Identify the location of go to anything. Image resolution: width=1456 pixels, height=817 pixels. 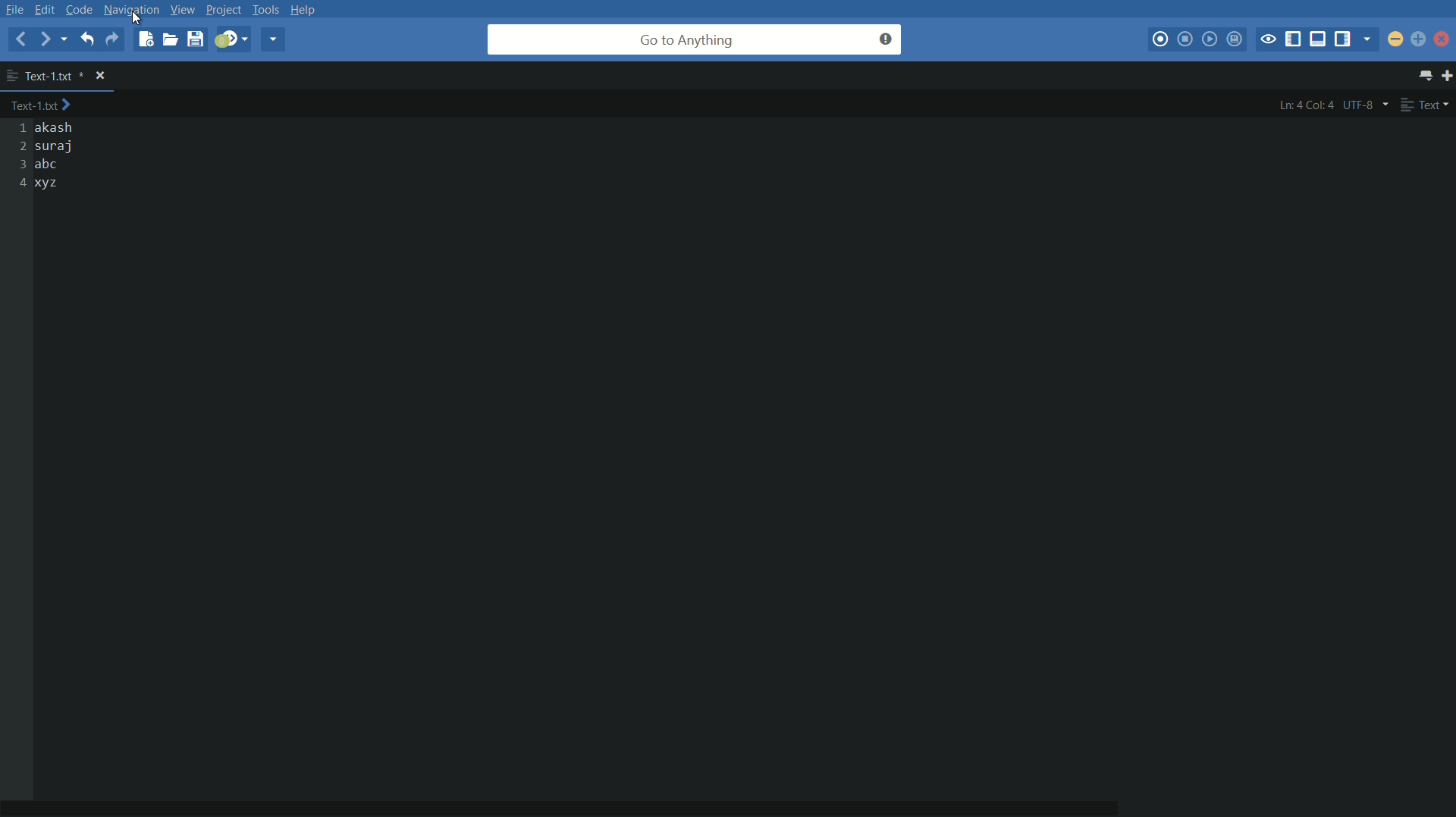
(695, 39).